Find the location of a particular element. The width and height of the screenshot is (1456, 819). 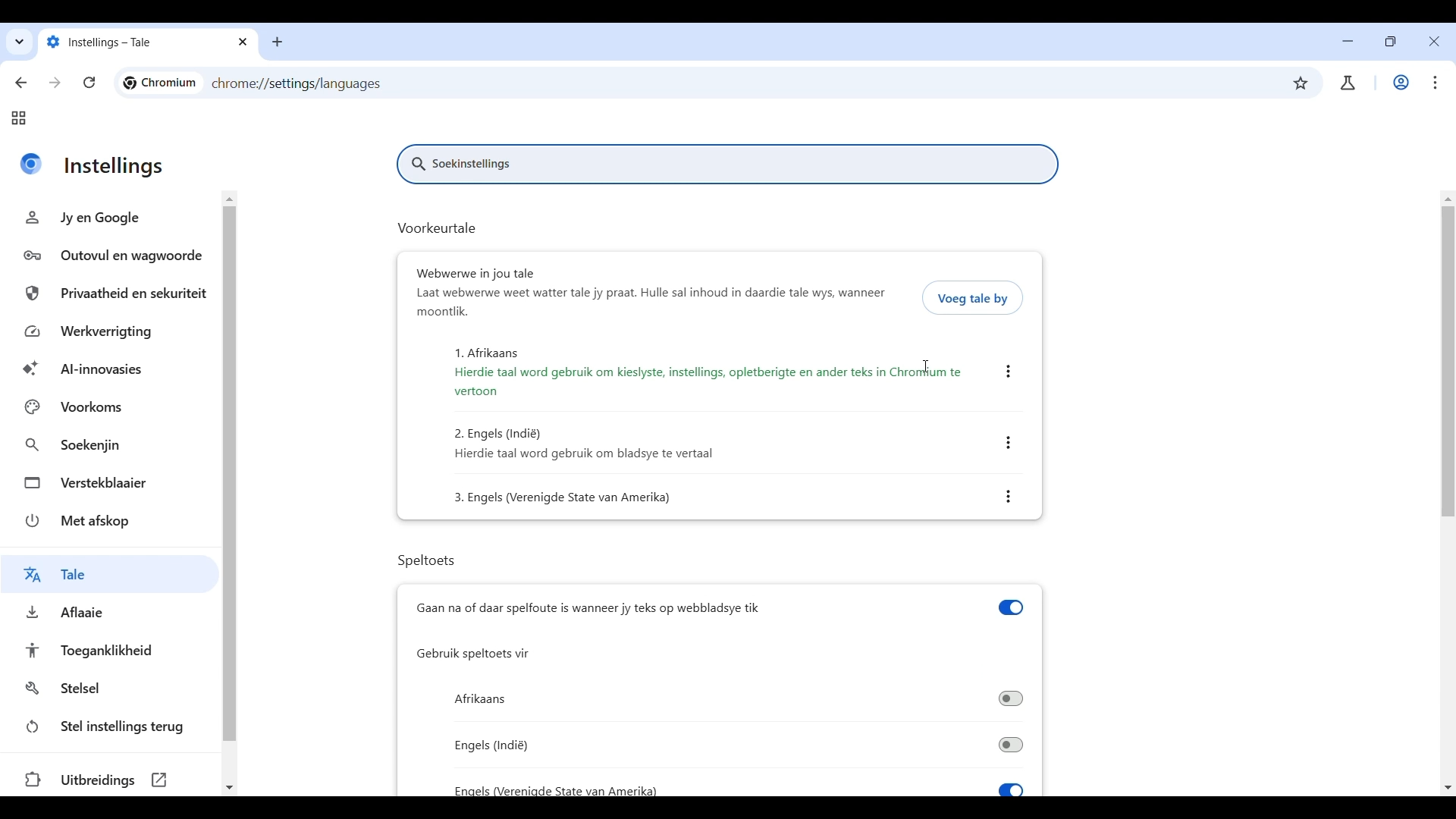

Quick slide to top is located at coordinates (1448, 199).